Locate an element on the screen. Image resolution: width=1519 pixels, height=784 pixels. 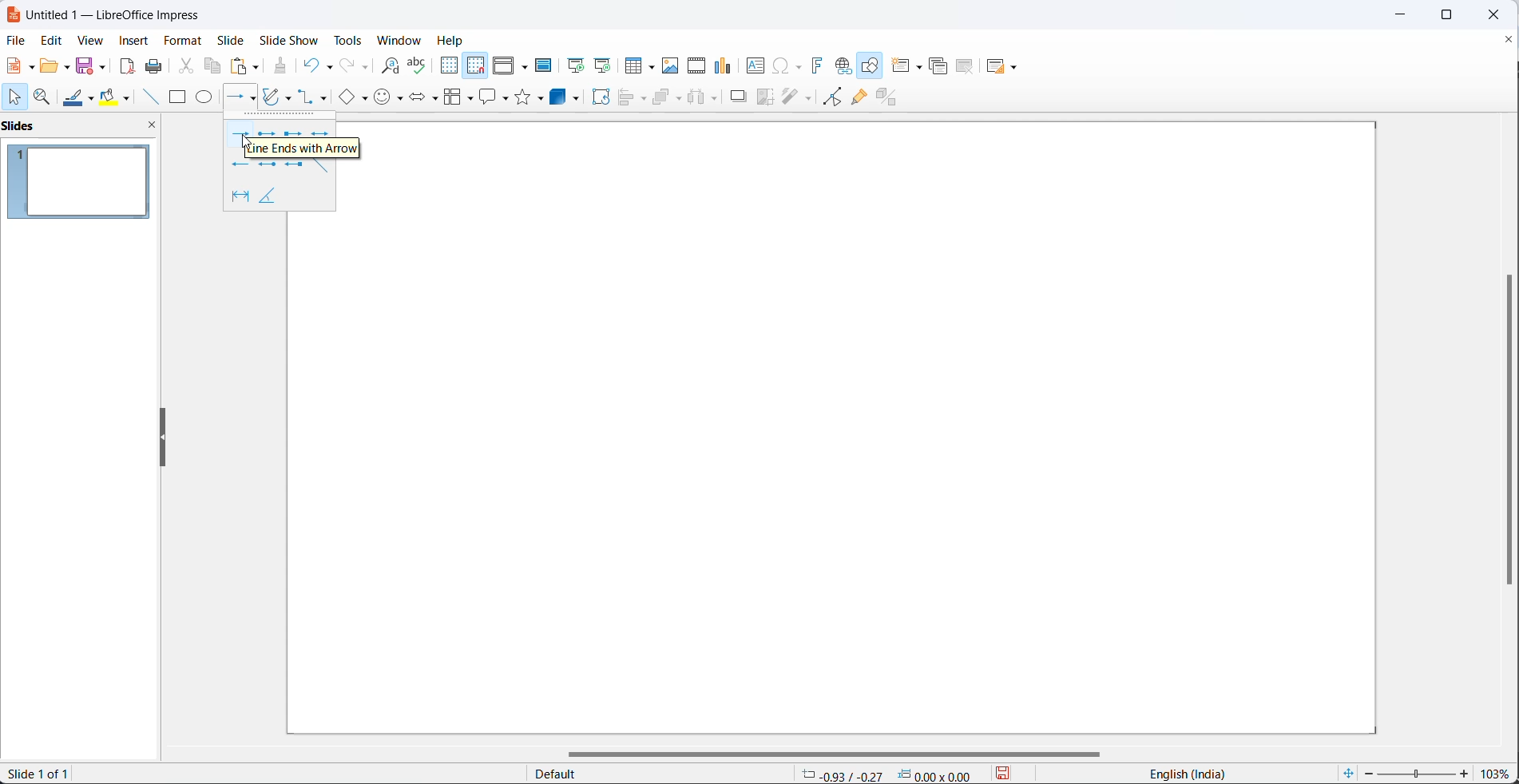
curve and polygons is located at coordinates (280, 95).